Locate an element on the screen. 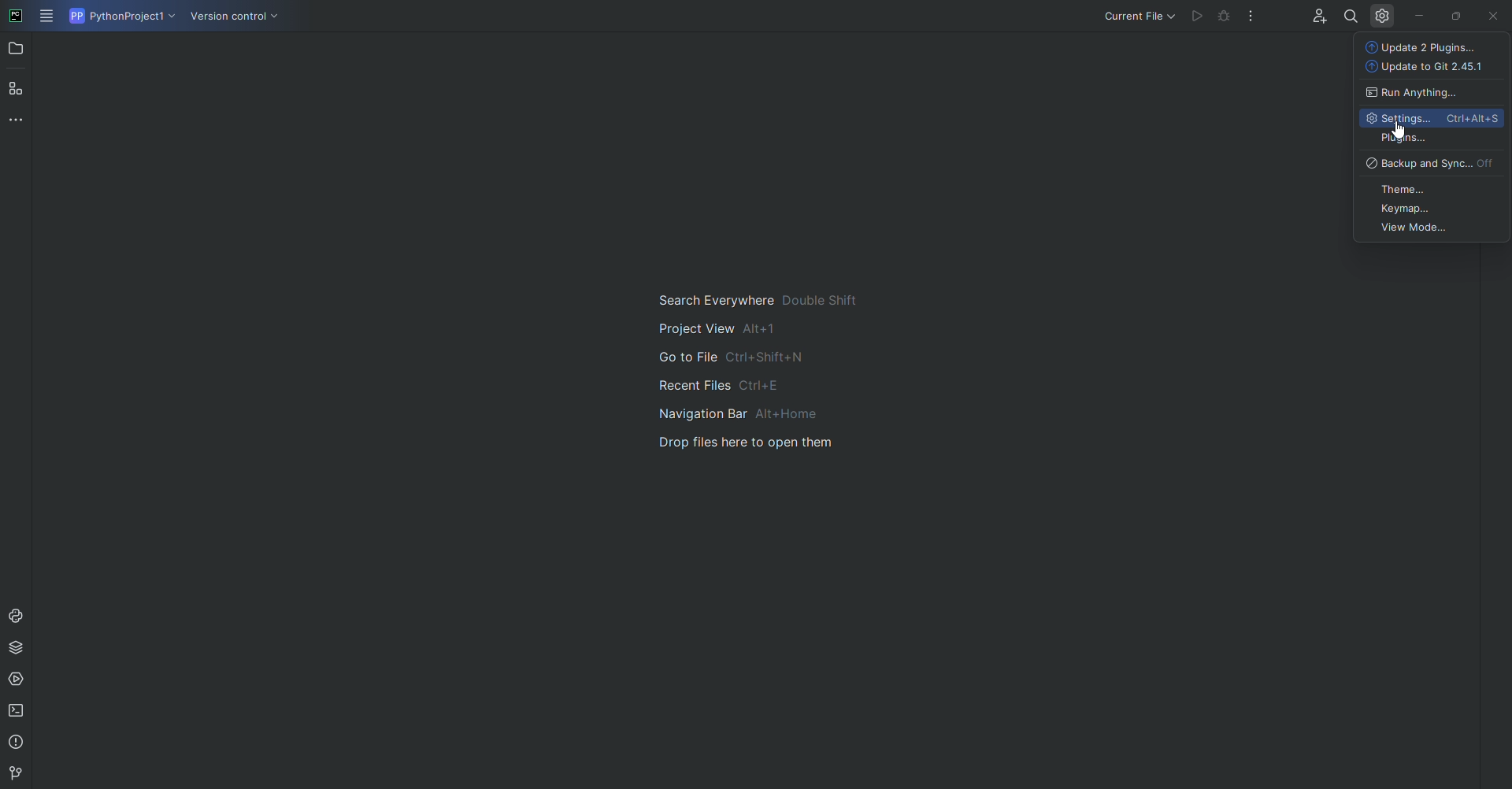  Project is located at coordinates (17, 50).